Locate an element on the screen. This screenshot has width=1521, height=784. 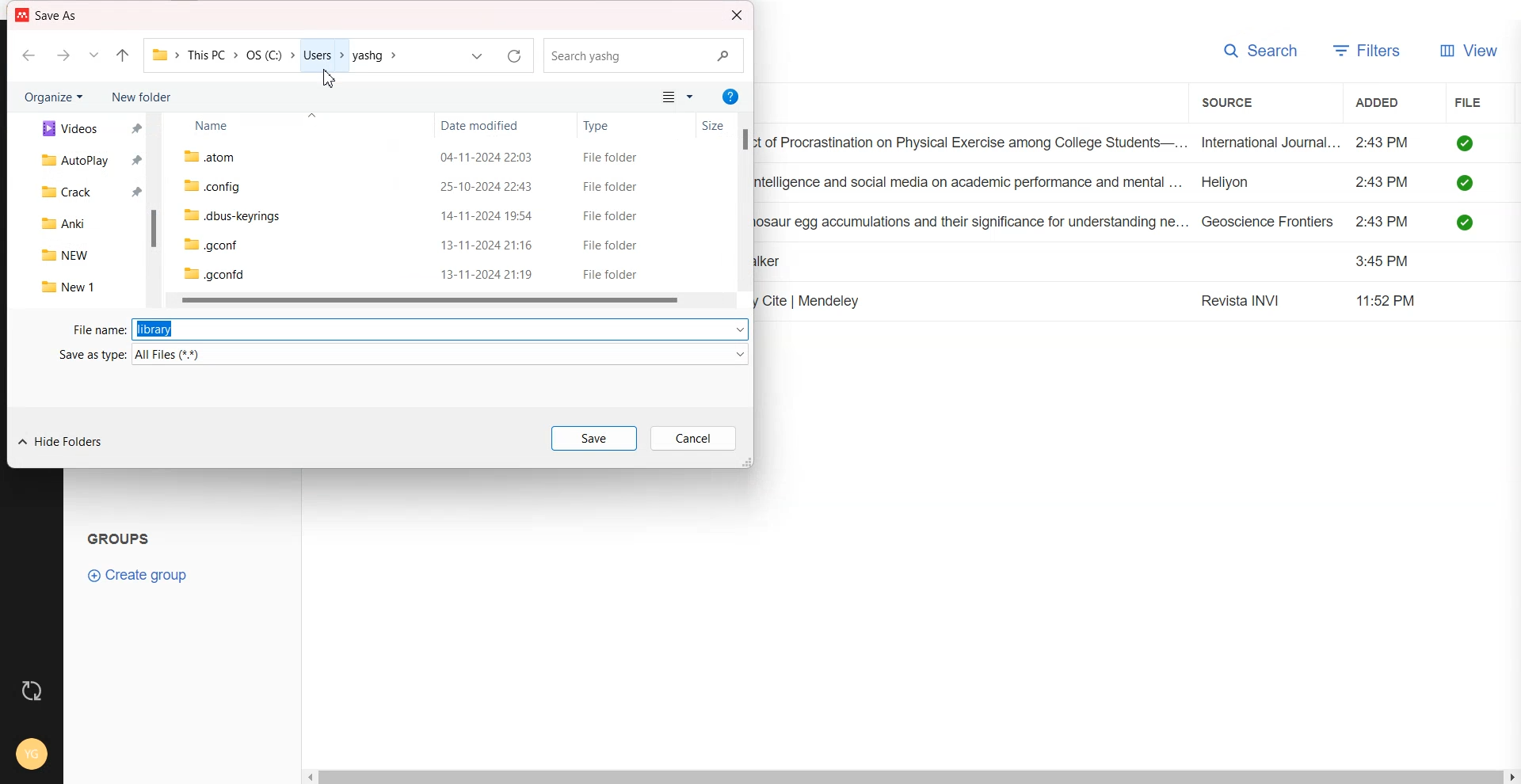
Text is located at coordinates (121, 537).